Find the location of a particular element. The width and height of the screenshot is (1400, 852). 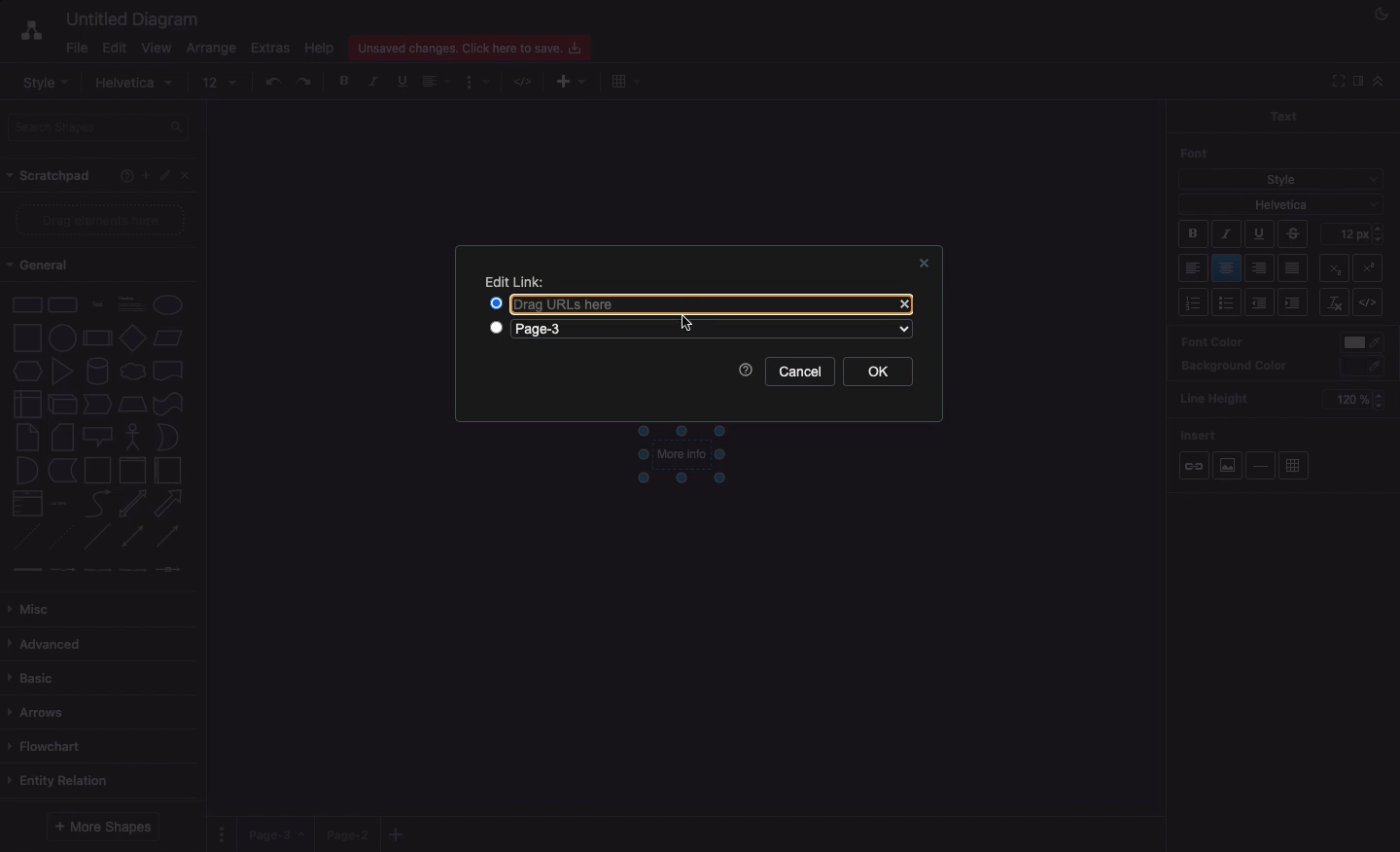

Sidebar is located at coordinates (1356, 82).